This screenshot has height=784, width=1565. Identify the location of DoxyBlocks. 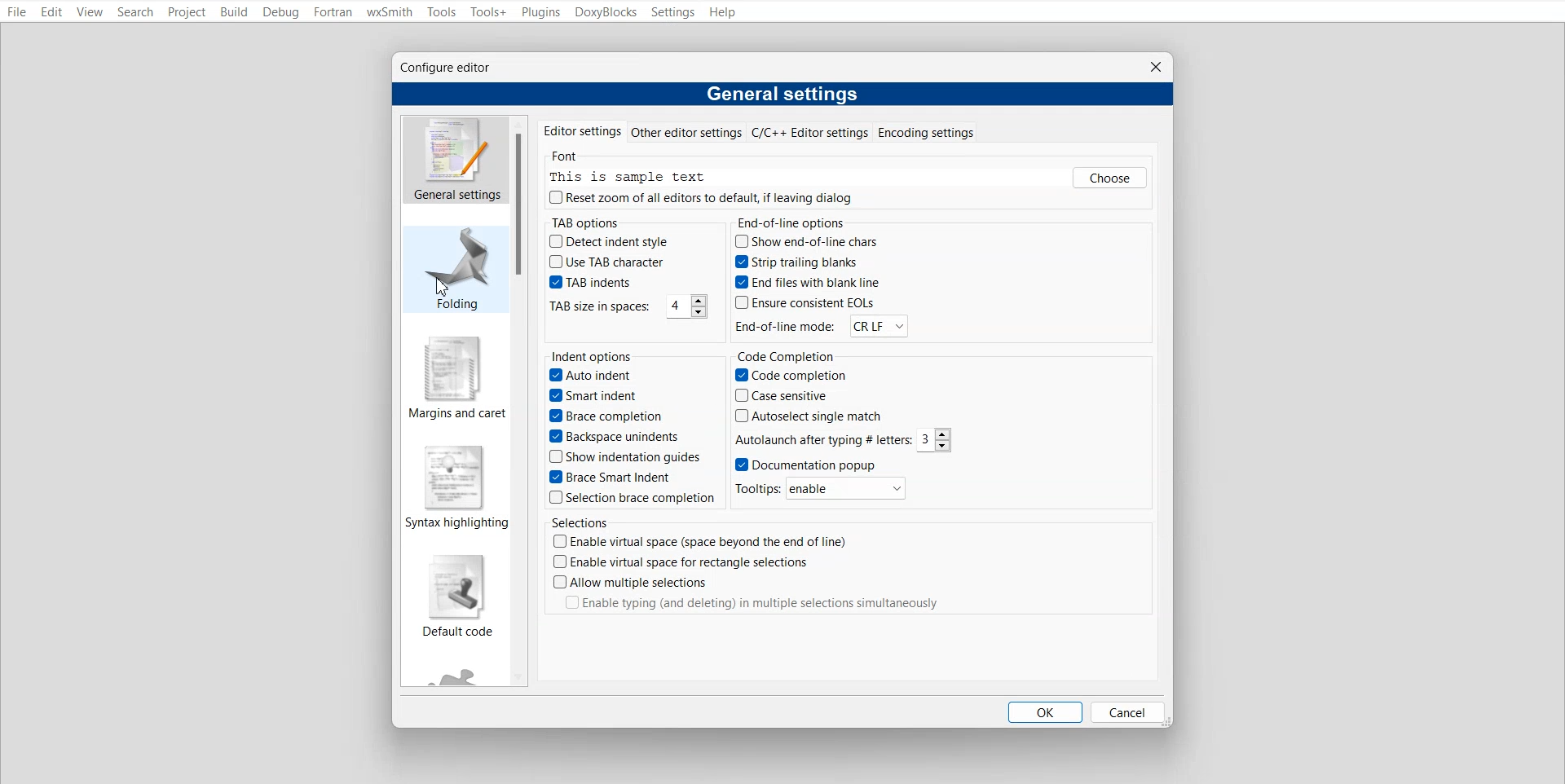
(606, 11).